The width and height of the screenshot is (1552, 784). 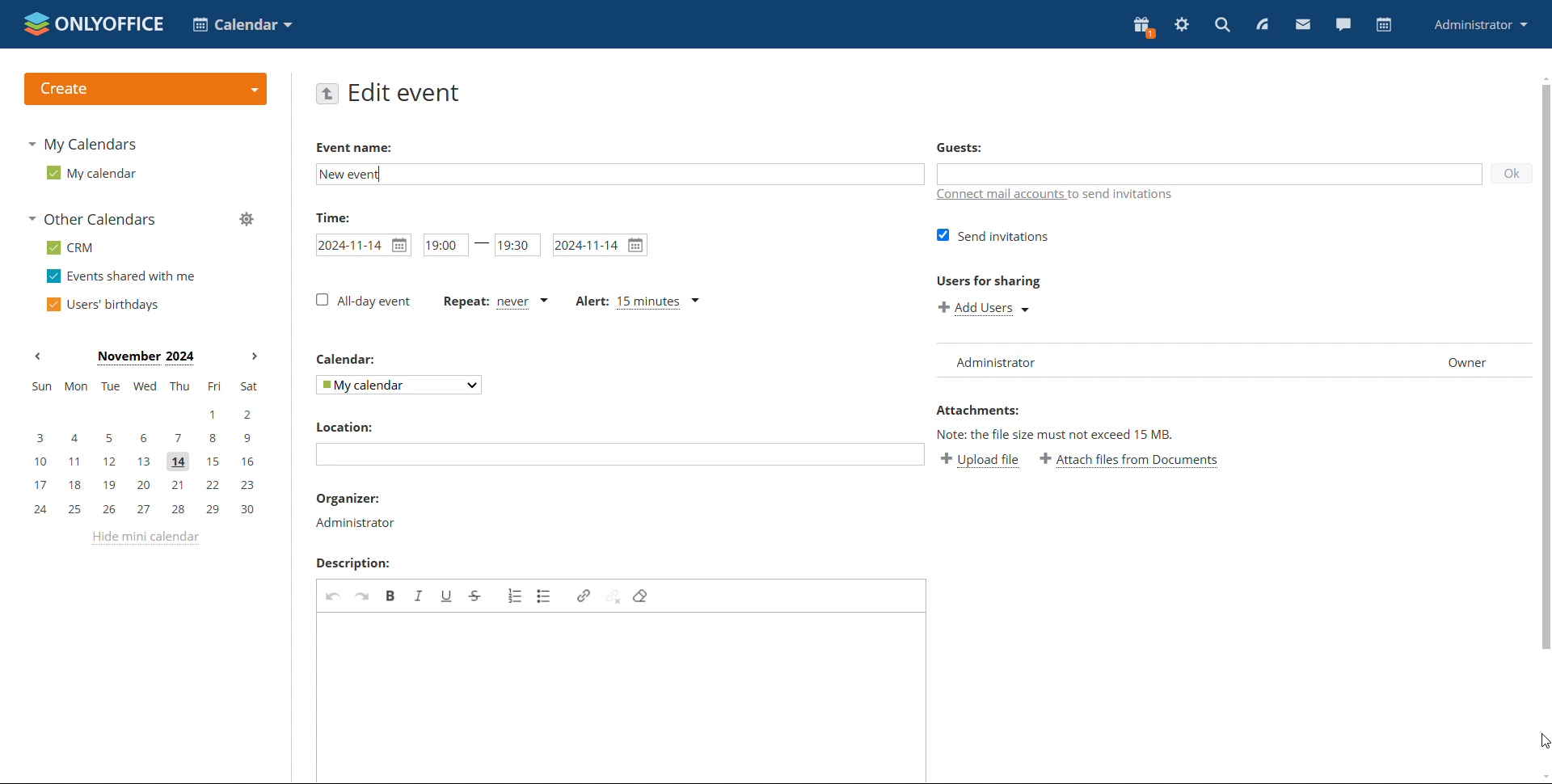 What do you see at coordinates (475, 596) in the screenshot?
I see `strikethrough` at bounding box center [475, 596].